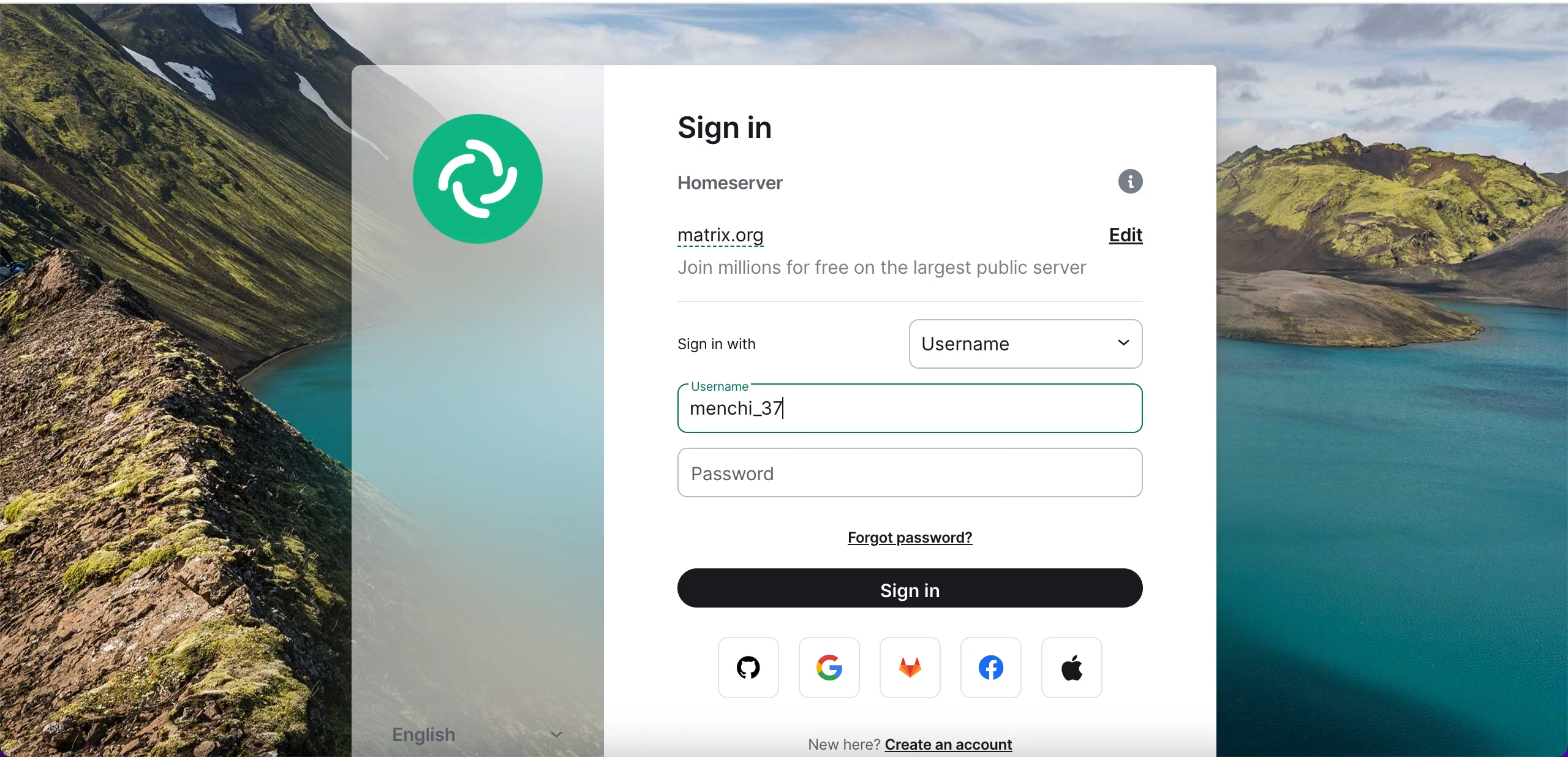 The width and height of the screenshot is (1568, 757). What do you see at coordinates (912, 671) in the screenshot?
I see `firefox logo` at bounding box center [912, 671].